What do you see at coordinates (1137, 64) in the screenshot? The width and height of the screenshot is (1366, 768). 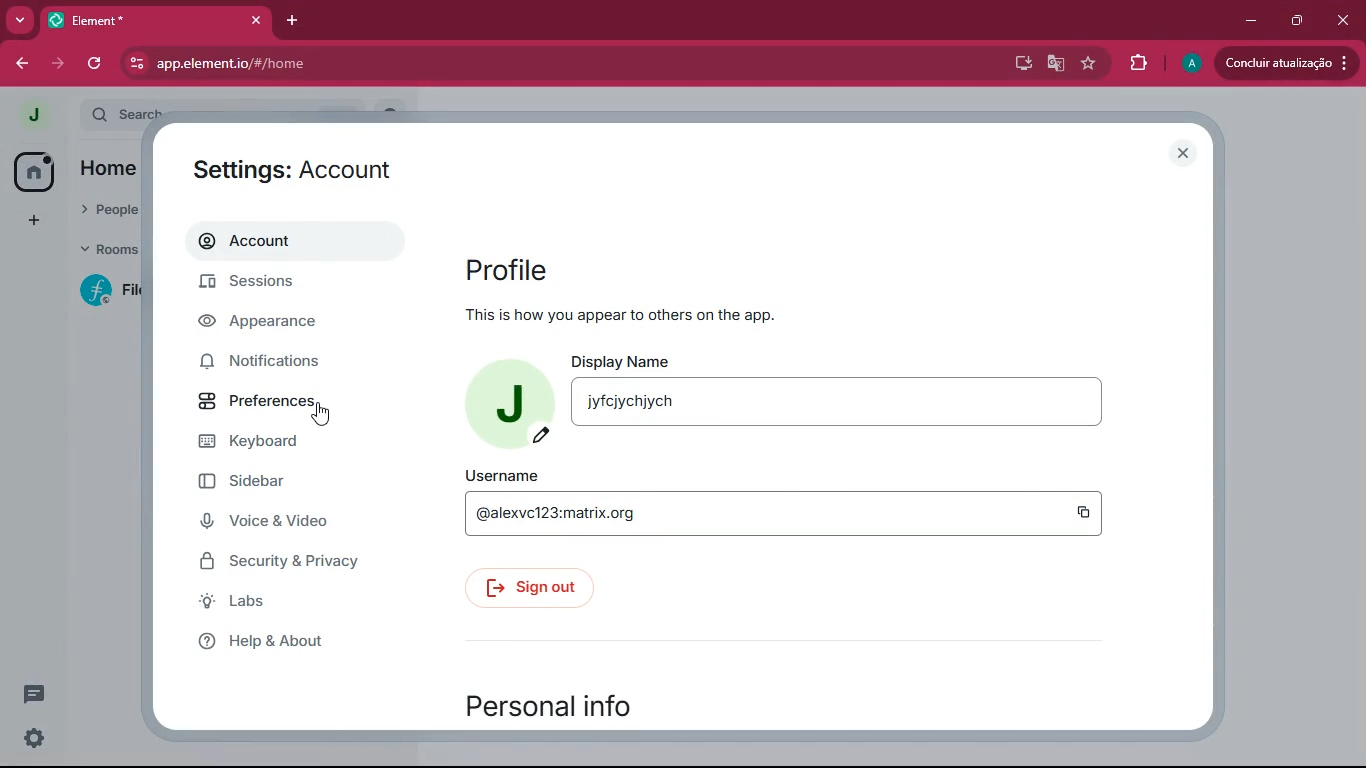 I see `extensions` at bounding box center [1137, 64].